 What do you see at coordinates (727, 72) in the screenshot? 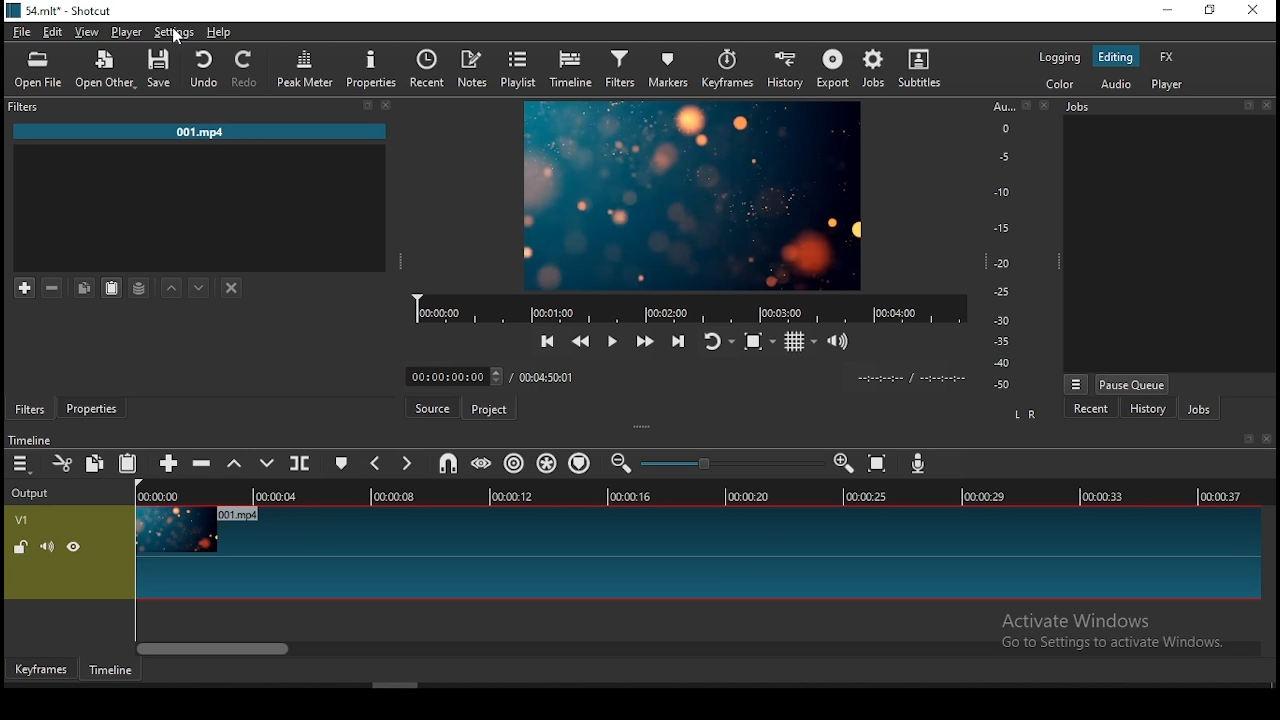
I see `keyframes` at bounding box center [727, 72].